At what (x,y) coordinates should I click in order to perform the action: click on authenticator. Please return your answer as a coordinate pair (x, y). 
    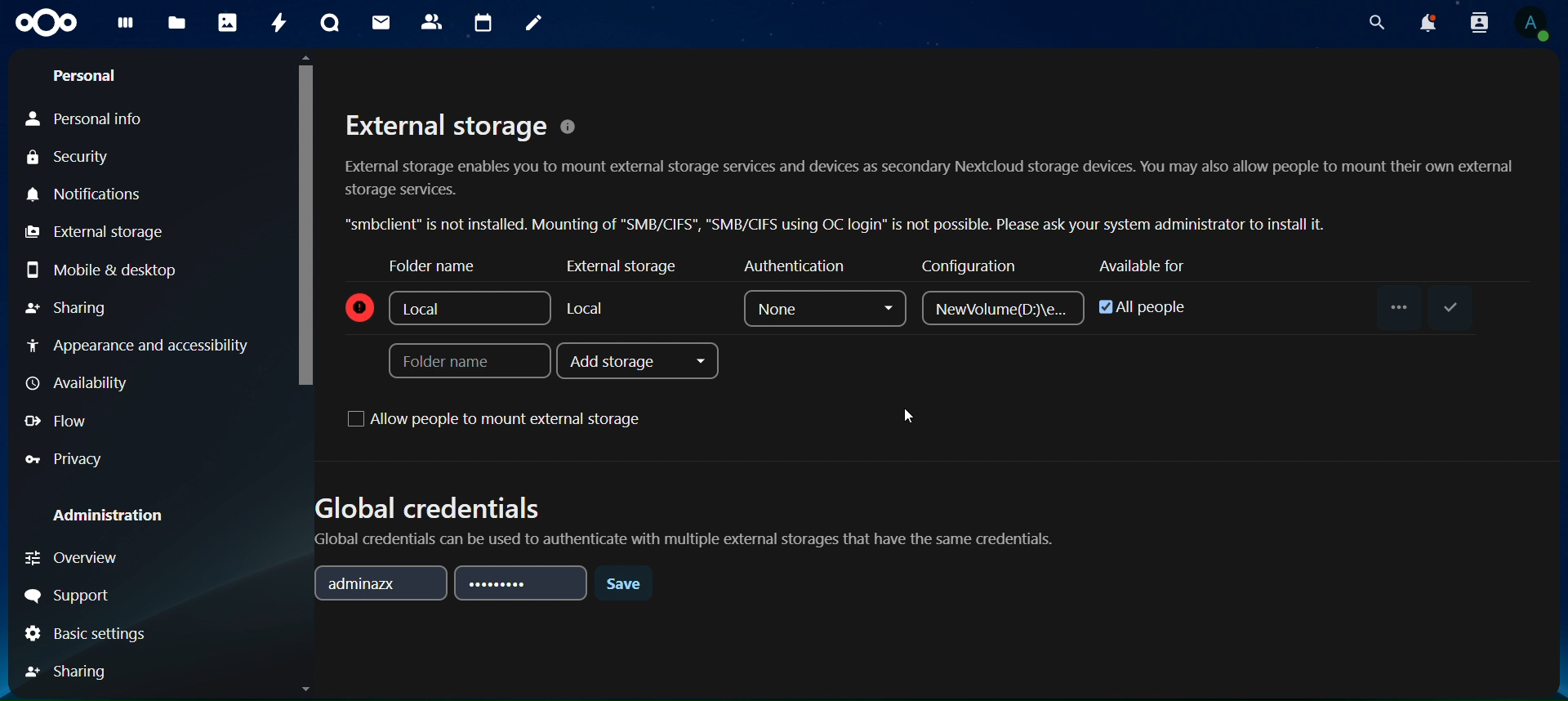
    Looking at the image, I should click on (792, 267).